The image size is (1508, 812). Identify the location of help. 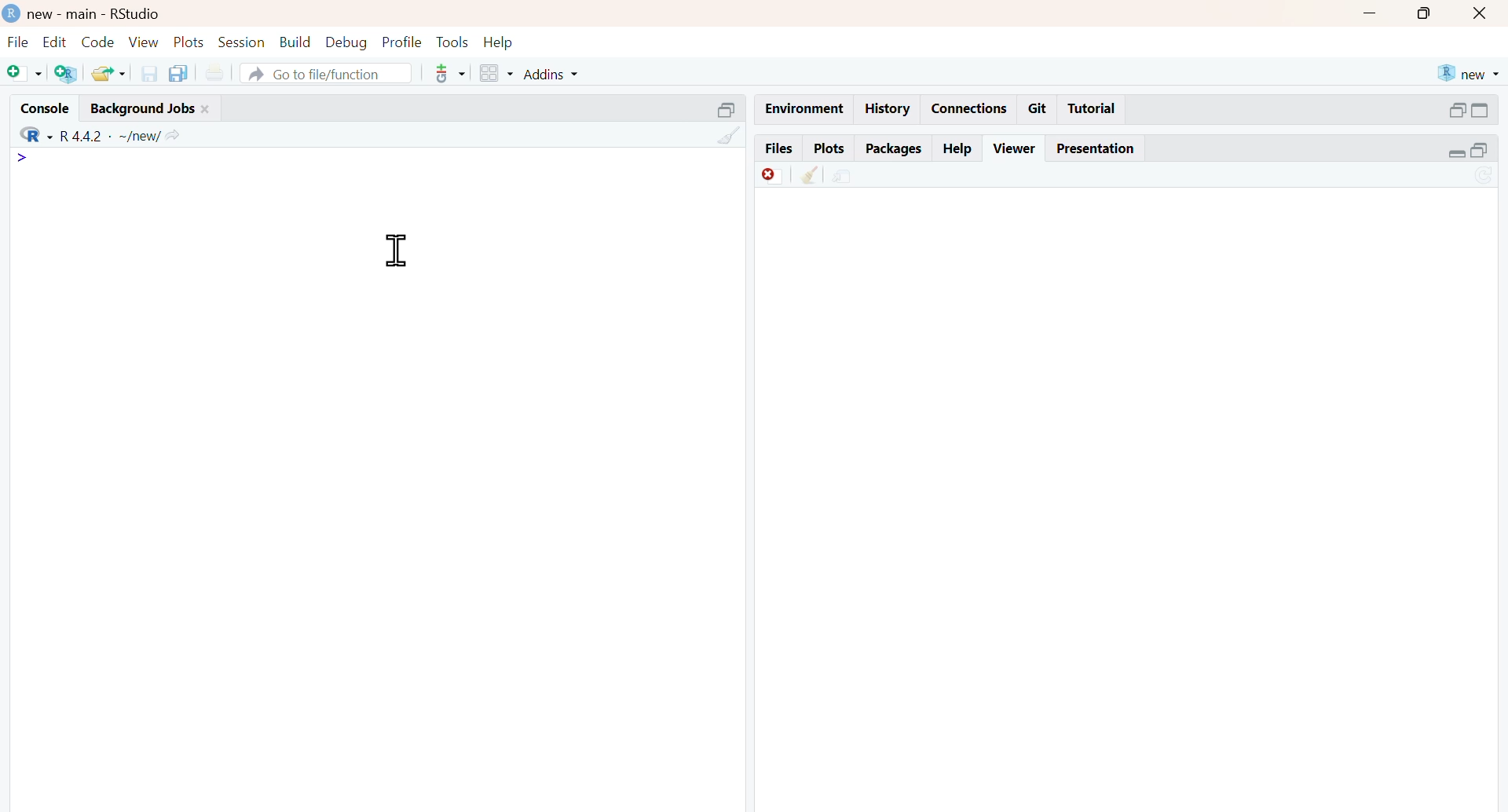
(498, 43).